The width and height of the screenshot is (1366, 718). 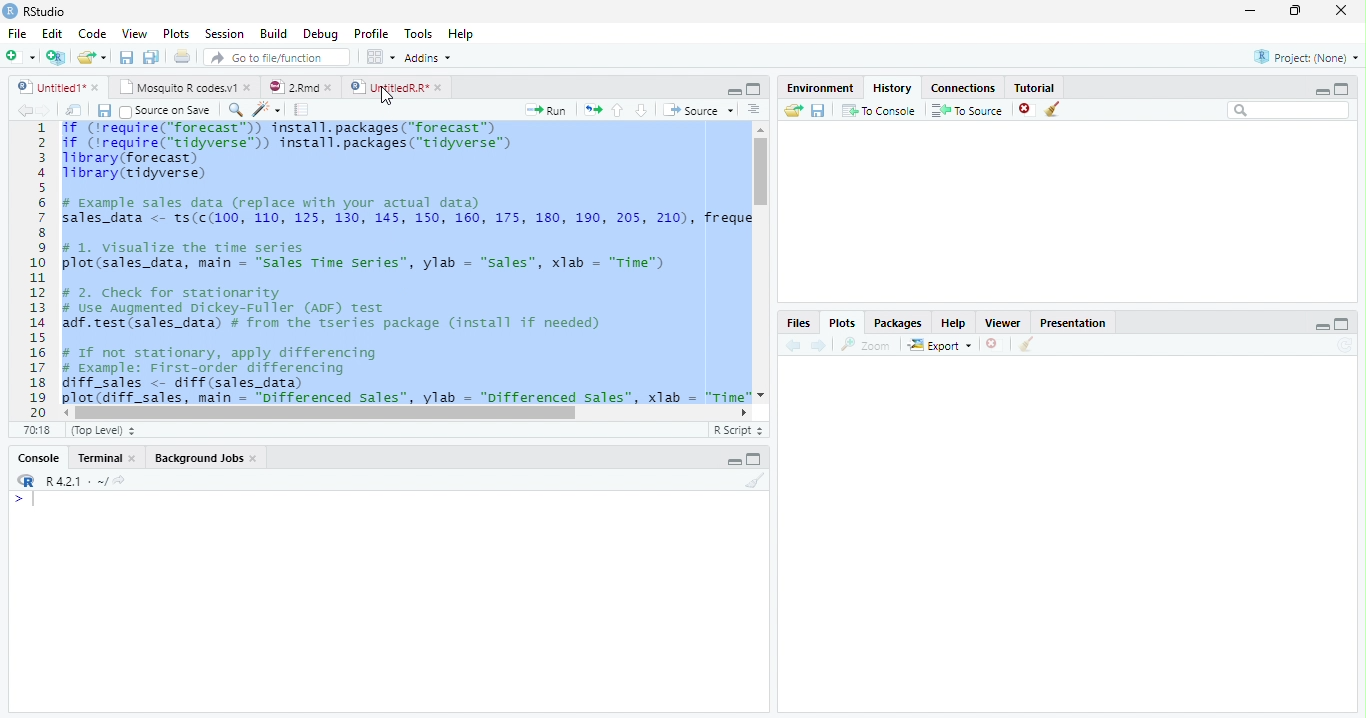 I want to click on Maximize, so click(x=1342, y=325).